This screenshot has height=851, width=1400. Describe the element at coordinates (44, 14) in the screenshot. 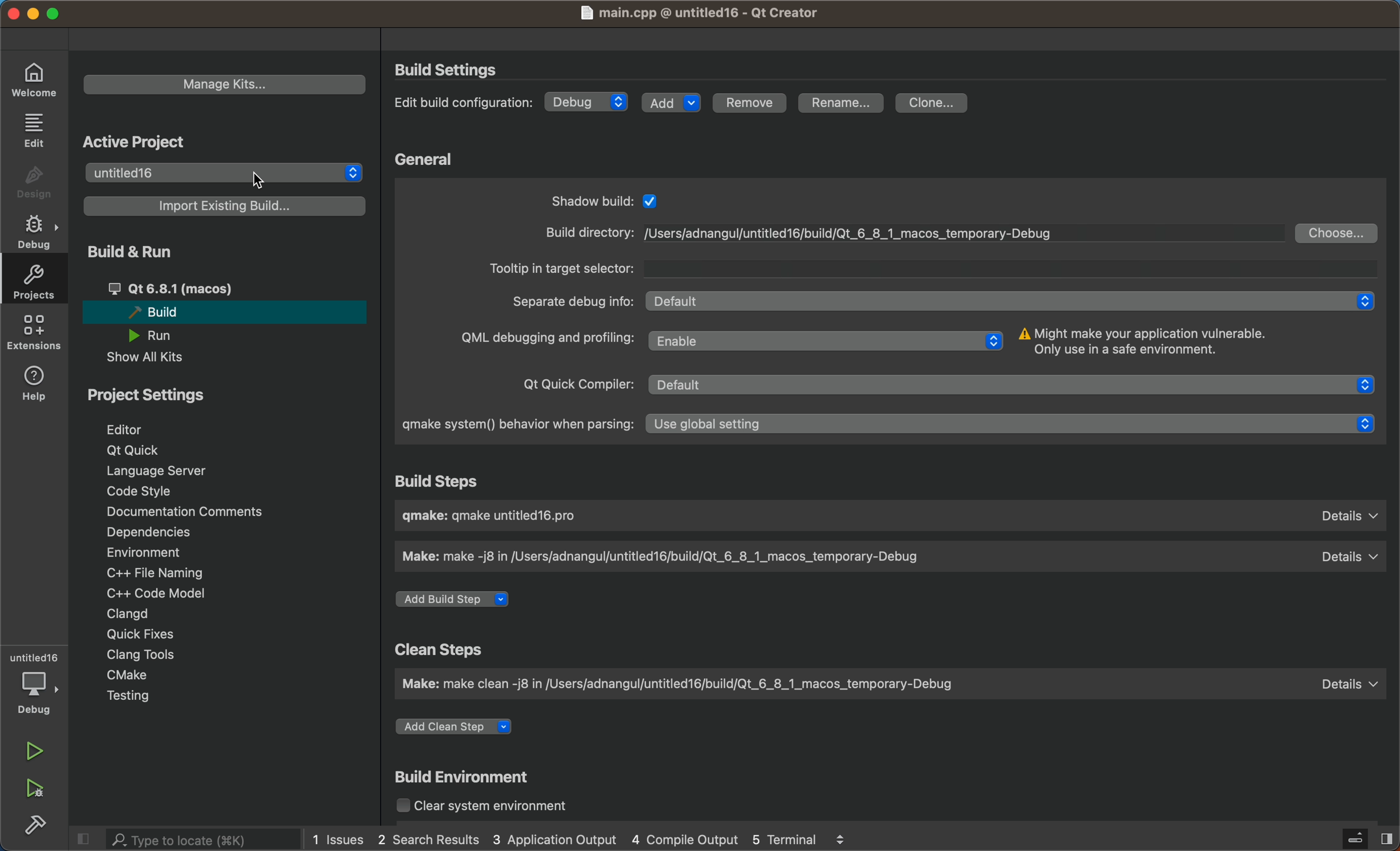

I see `window controls ` at that location.